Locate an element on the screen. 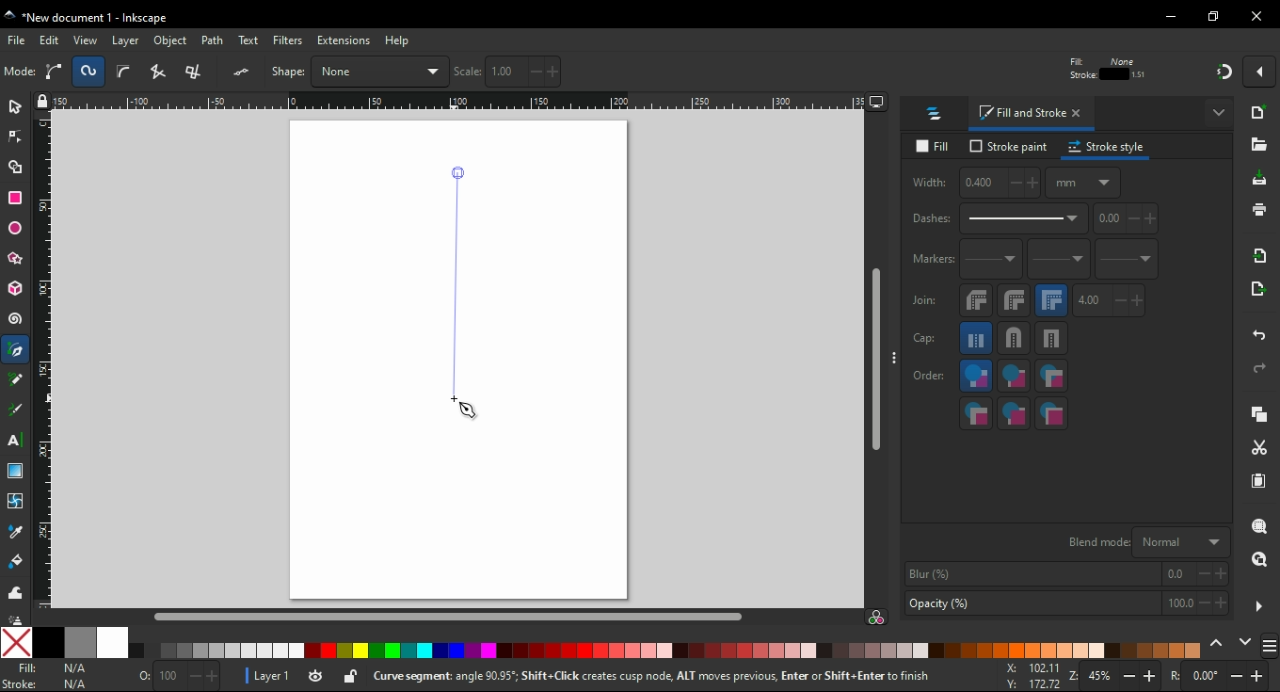  copy is located at coordinates (1259, 415).